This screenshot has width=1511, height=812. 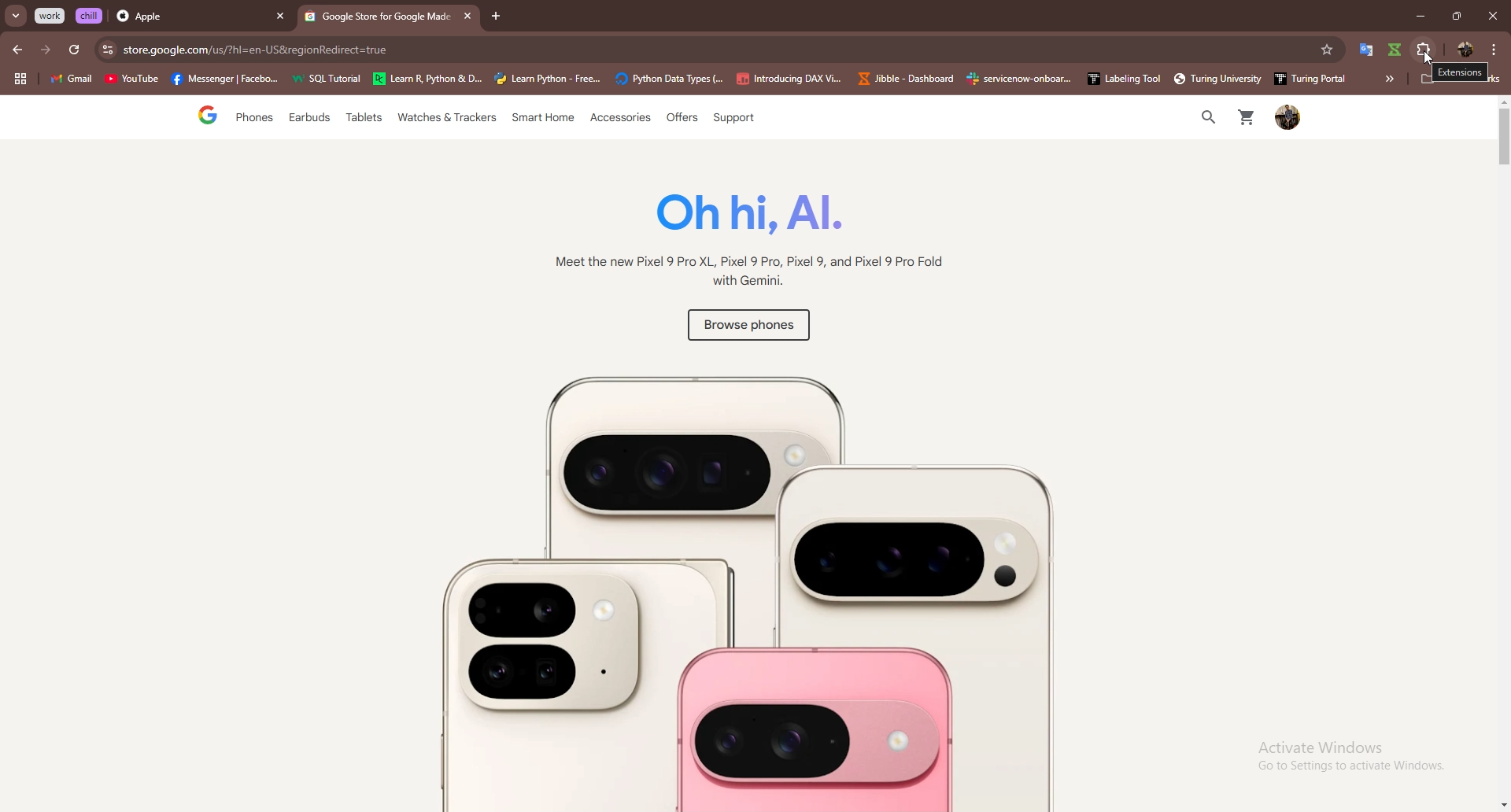 I want to click on minimize, so click(x=1416, y=17).